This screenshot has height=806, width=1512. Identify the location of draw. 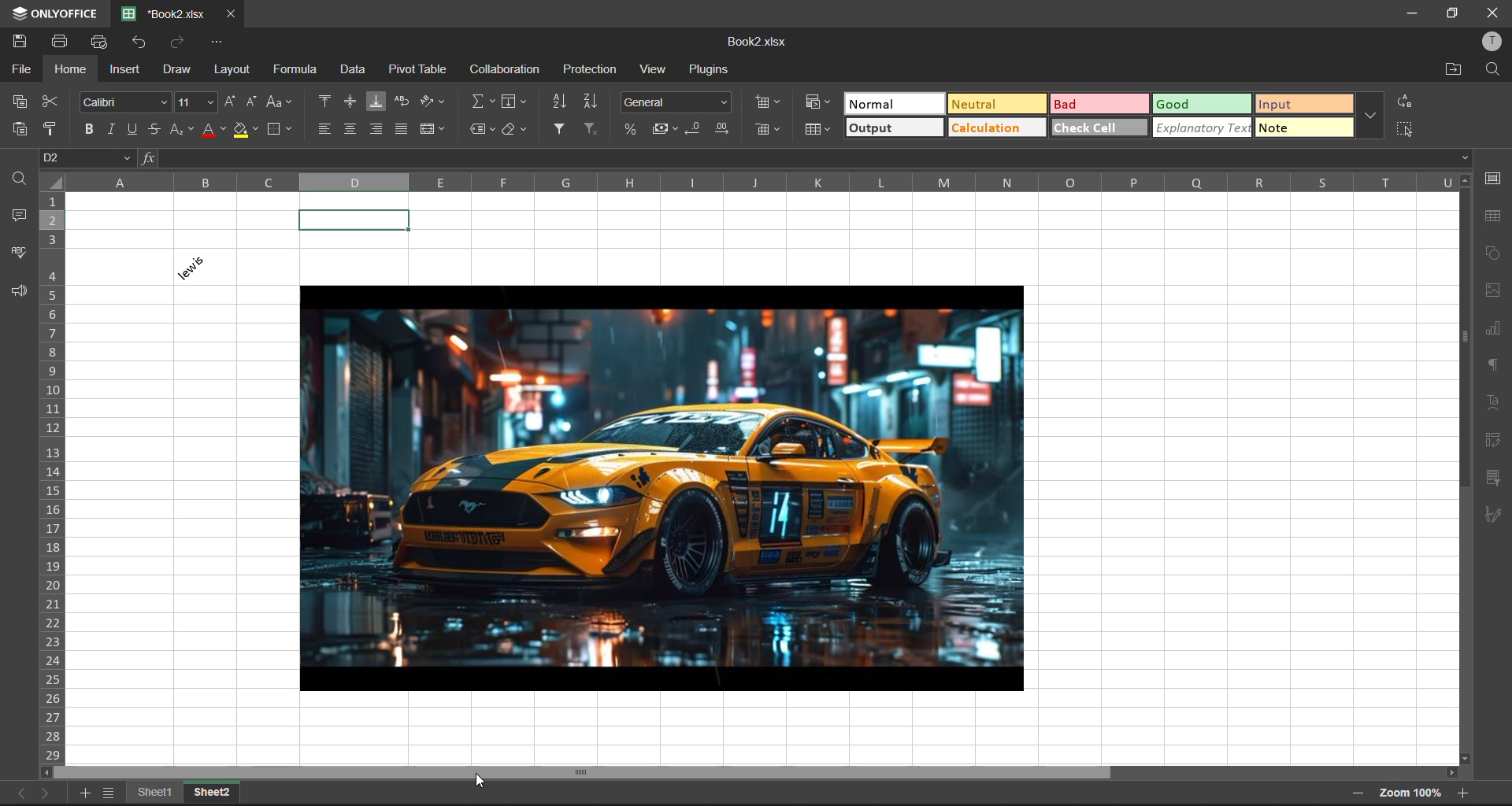
(177, 70).